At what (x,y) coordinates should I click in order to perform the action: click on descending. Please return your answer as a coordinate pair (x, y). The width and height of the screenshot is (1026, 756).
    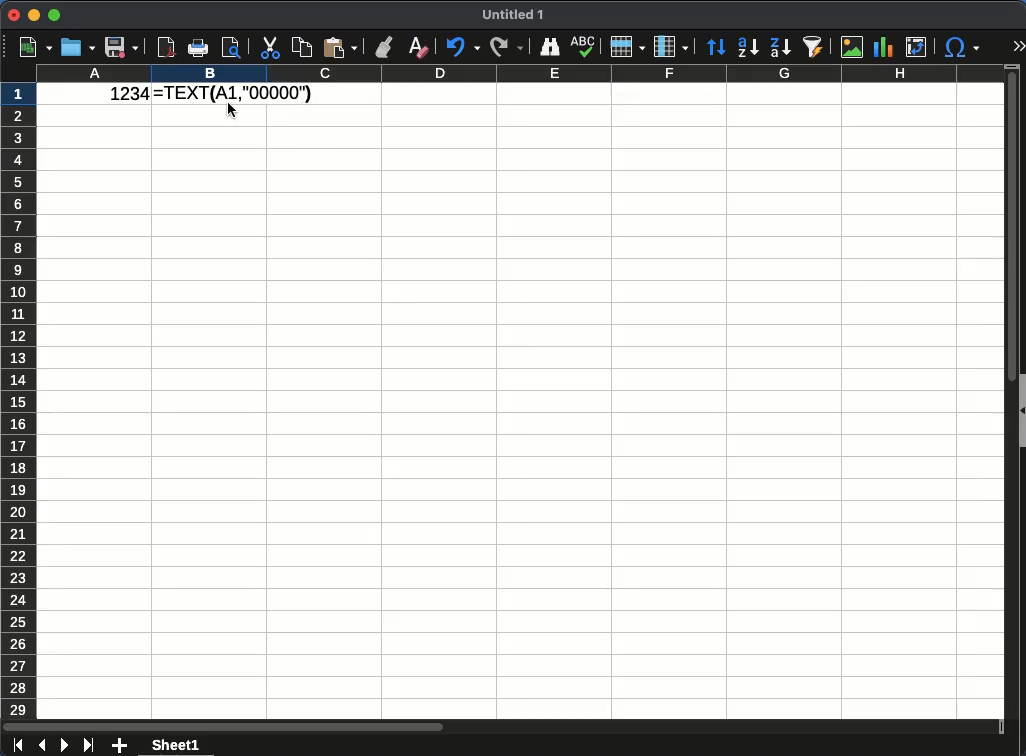
    Looking at the image, I should click on (780, 48).